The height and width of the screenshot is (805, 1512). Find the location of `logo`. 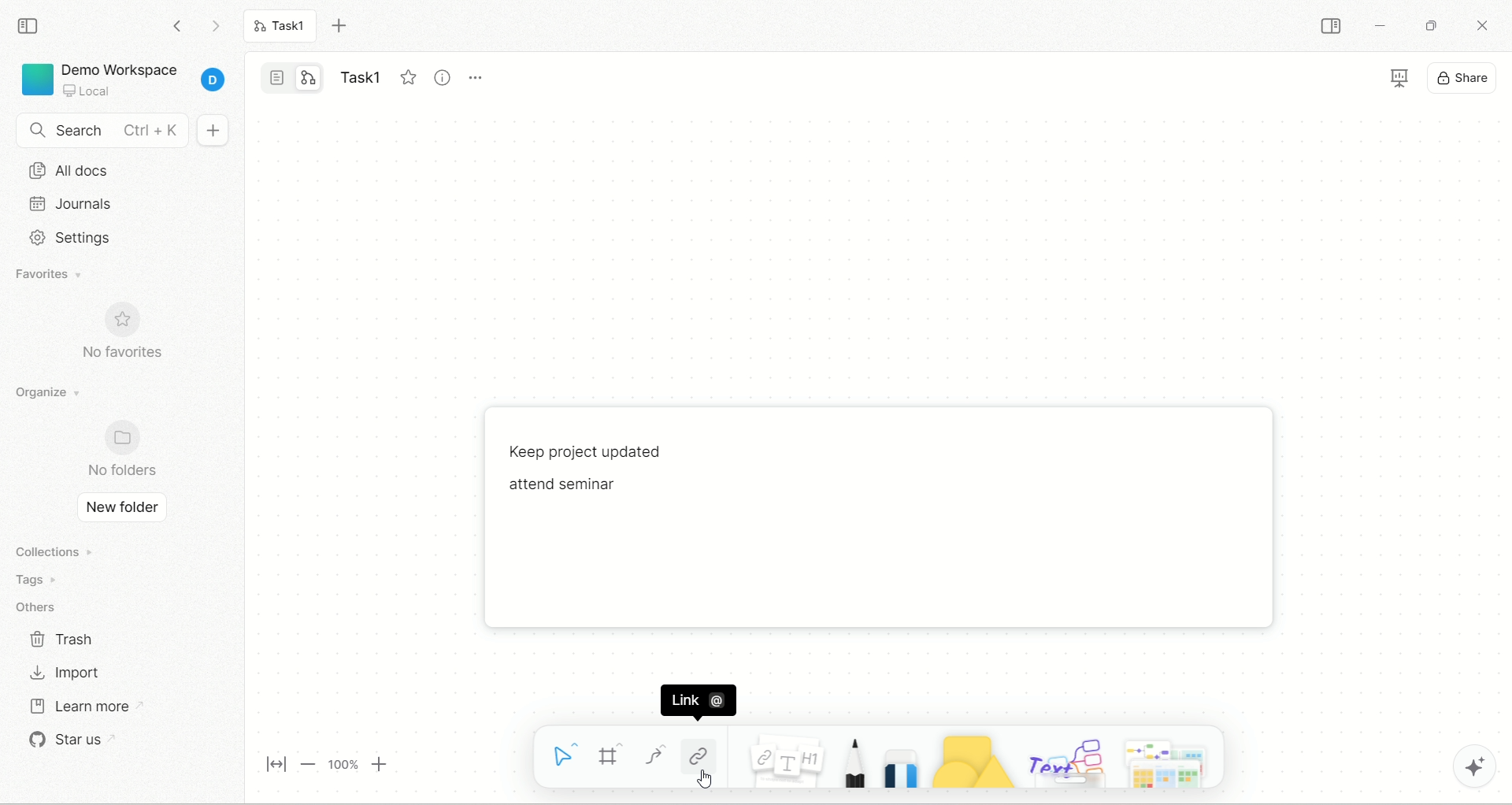

logo is located at coordinates (35, 79).